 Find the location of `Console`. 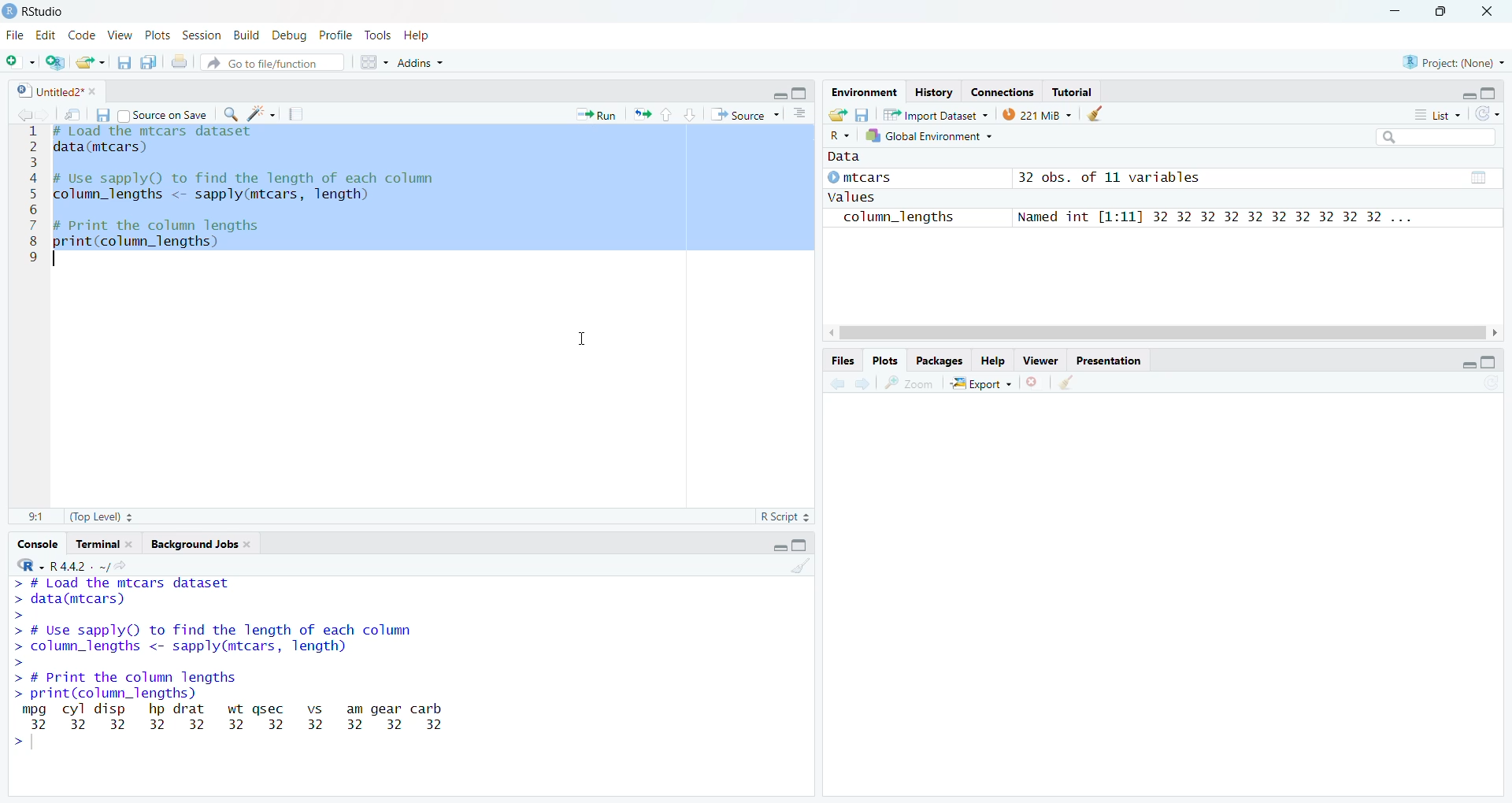

Console is located at coordinates (411, 685).